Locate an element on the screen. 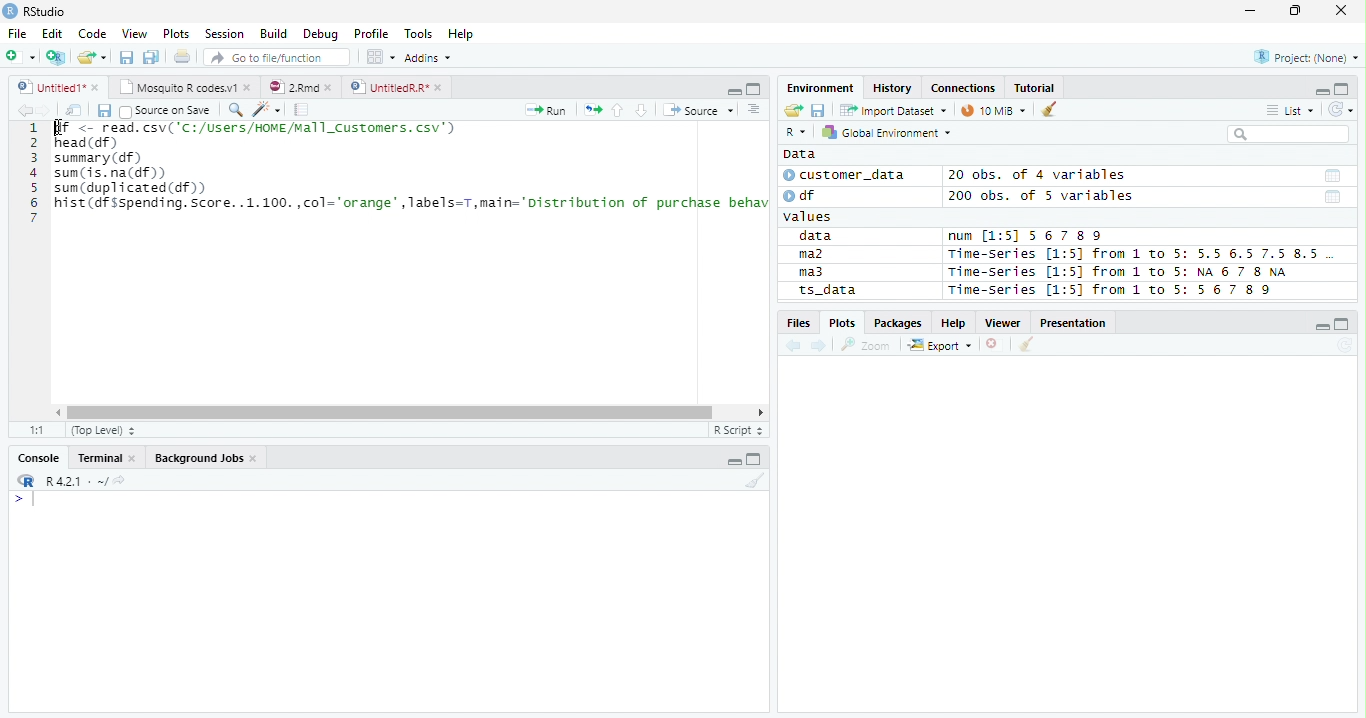 Image resolution: width=1366 pixels, height=718 pixels. 1:1 is located at coordinates (37, 430).